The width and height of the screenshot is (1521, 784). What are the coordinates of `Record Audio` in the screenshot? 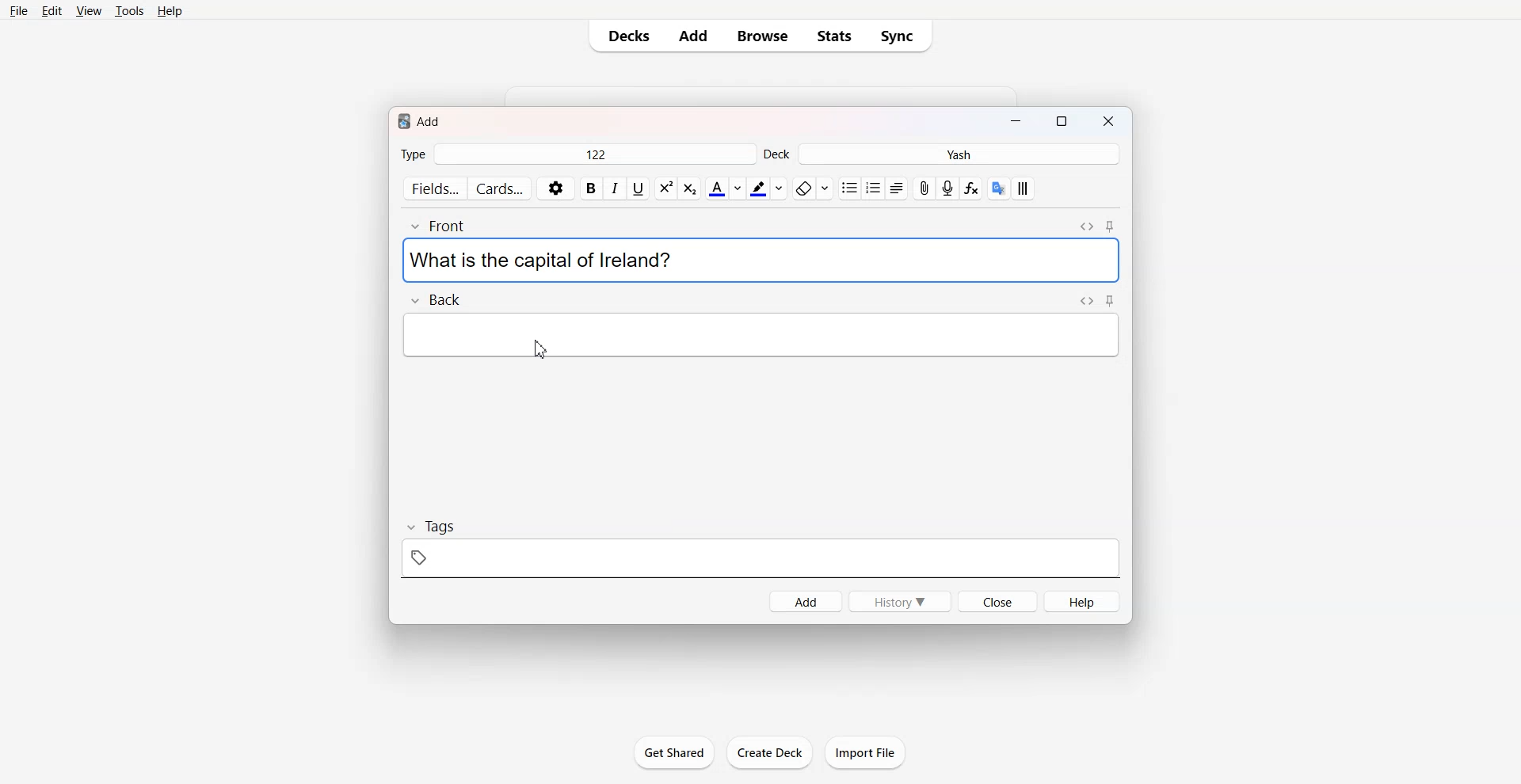 It's located at (947, 188).